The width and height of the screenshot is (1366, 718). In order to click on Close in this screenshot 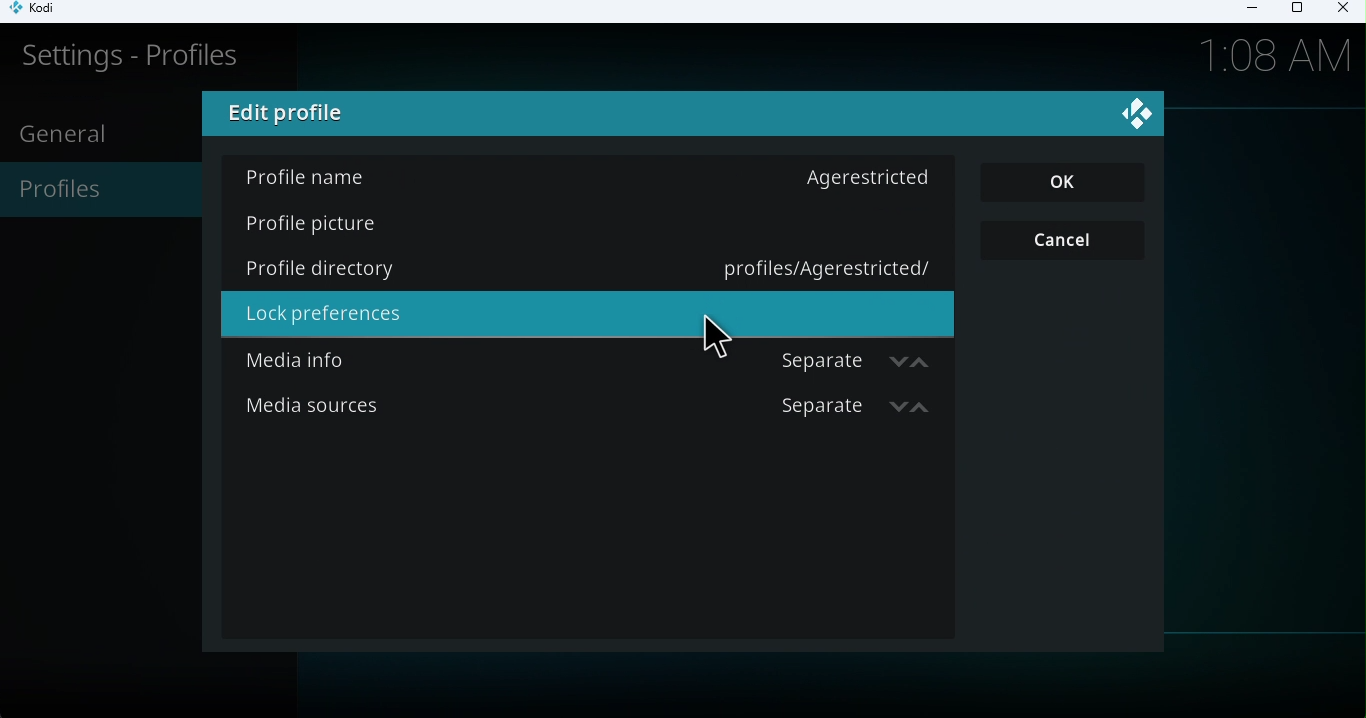, I will do `click(1140, 117)`.